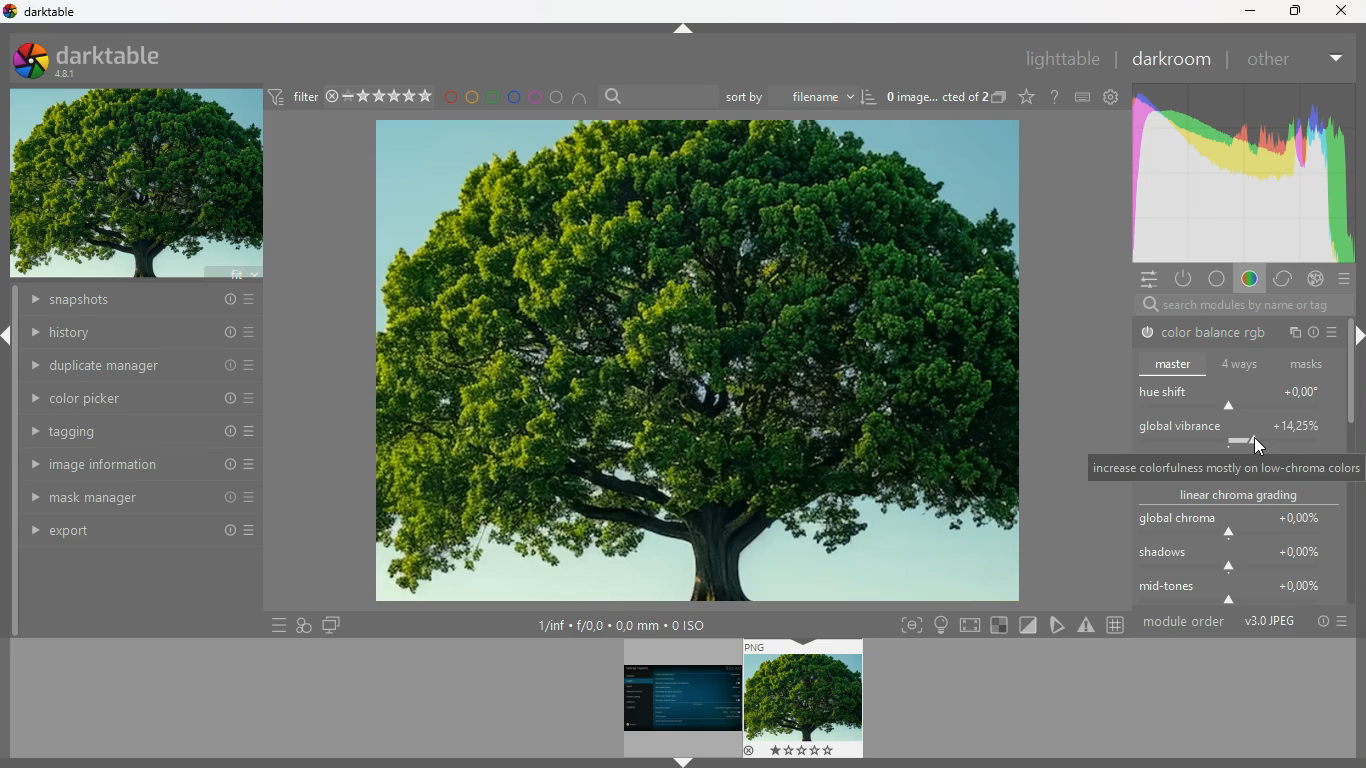 This screenshot has width=1366, height=768. What do you see at coordinates (1281, 280) in the screenshot?
I see `change` at bounding box center [1281, 280].